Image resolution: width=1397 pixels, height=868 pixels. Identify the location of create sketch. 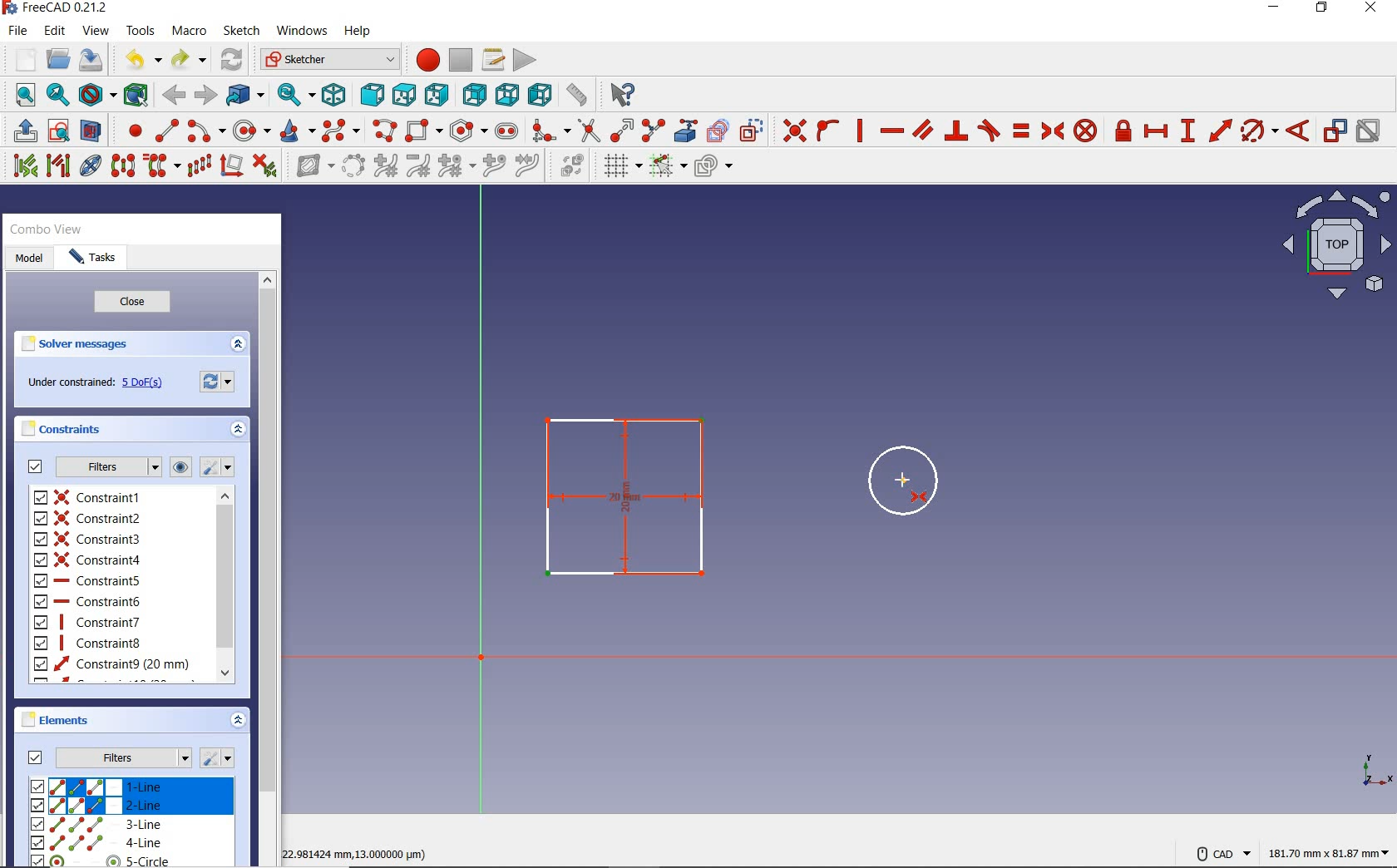
(57, 129).